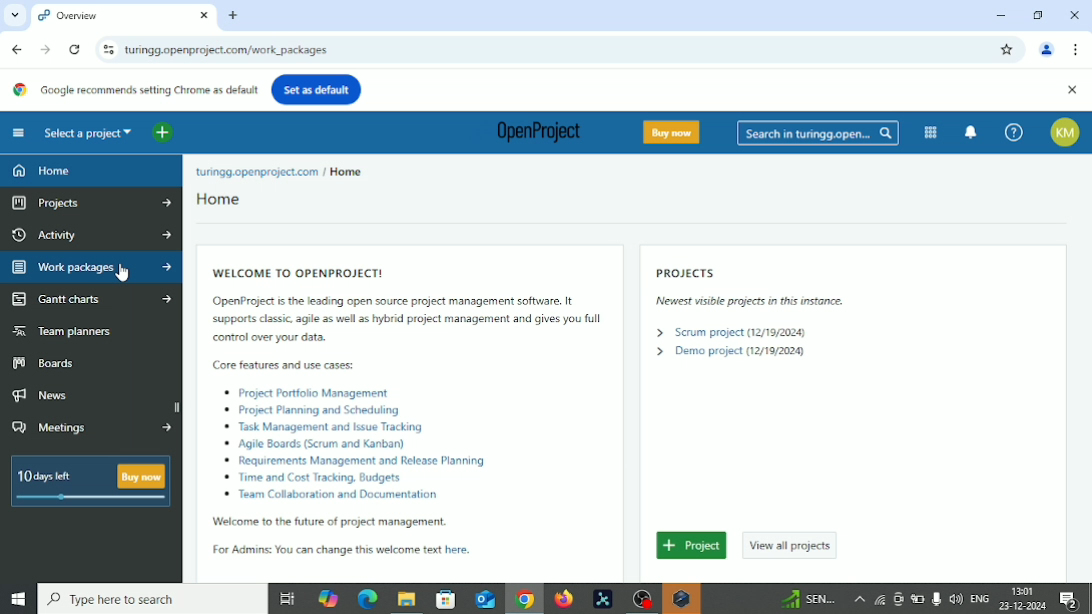 This screenshot has width=1092, height=614. What do you see at coordinates (730, 333) in the screenshot?
I see `> Scrum project (12/19/2024)` at bounding box center [730, 333].